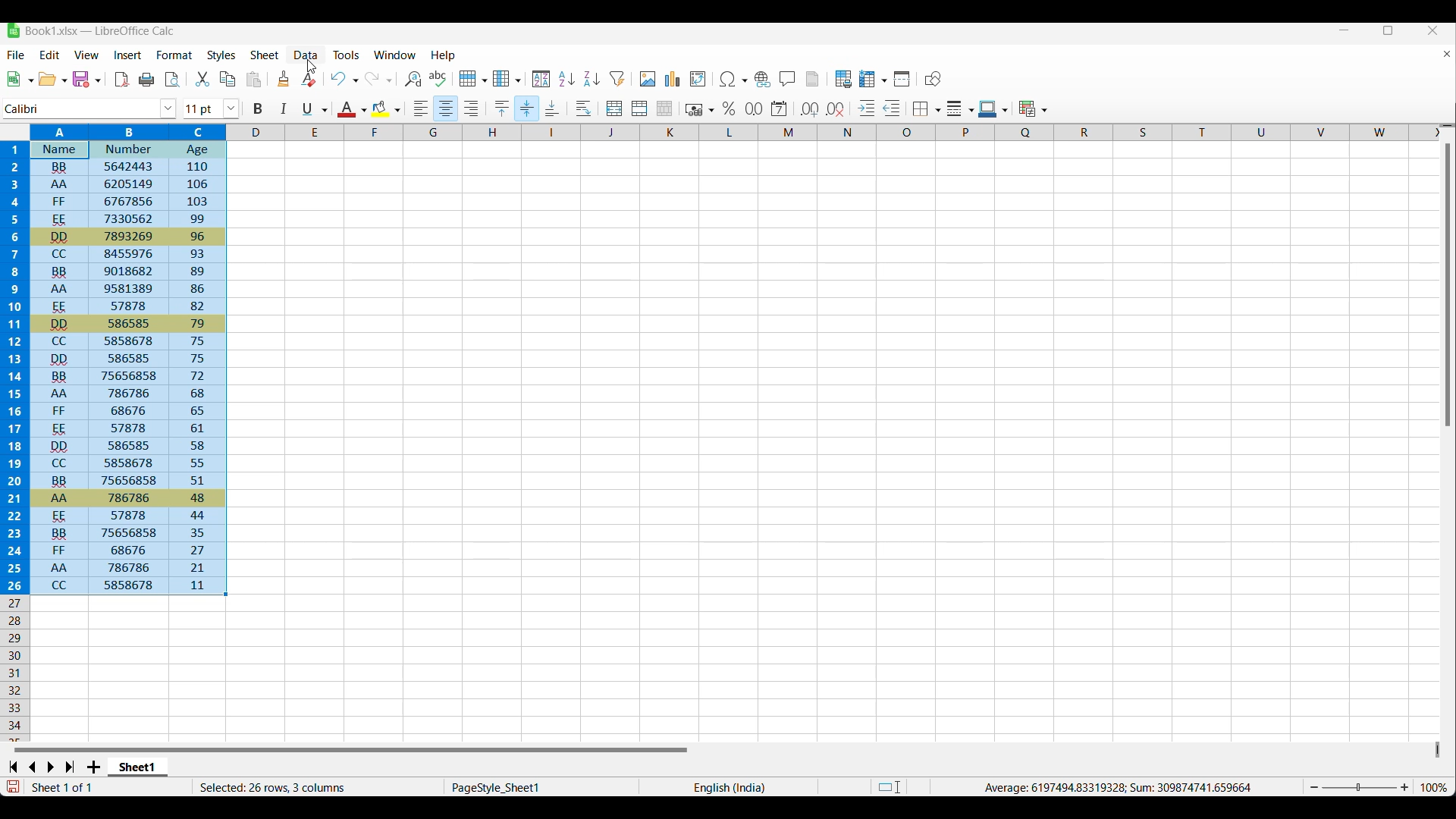  Describe the element at coordinates (174, 80) in the screenshot. I see `Toggle print preview` at that location.